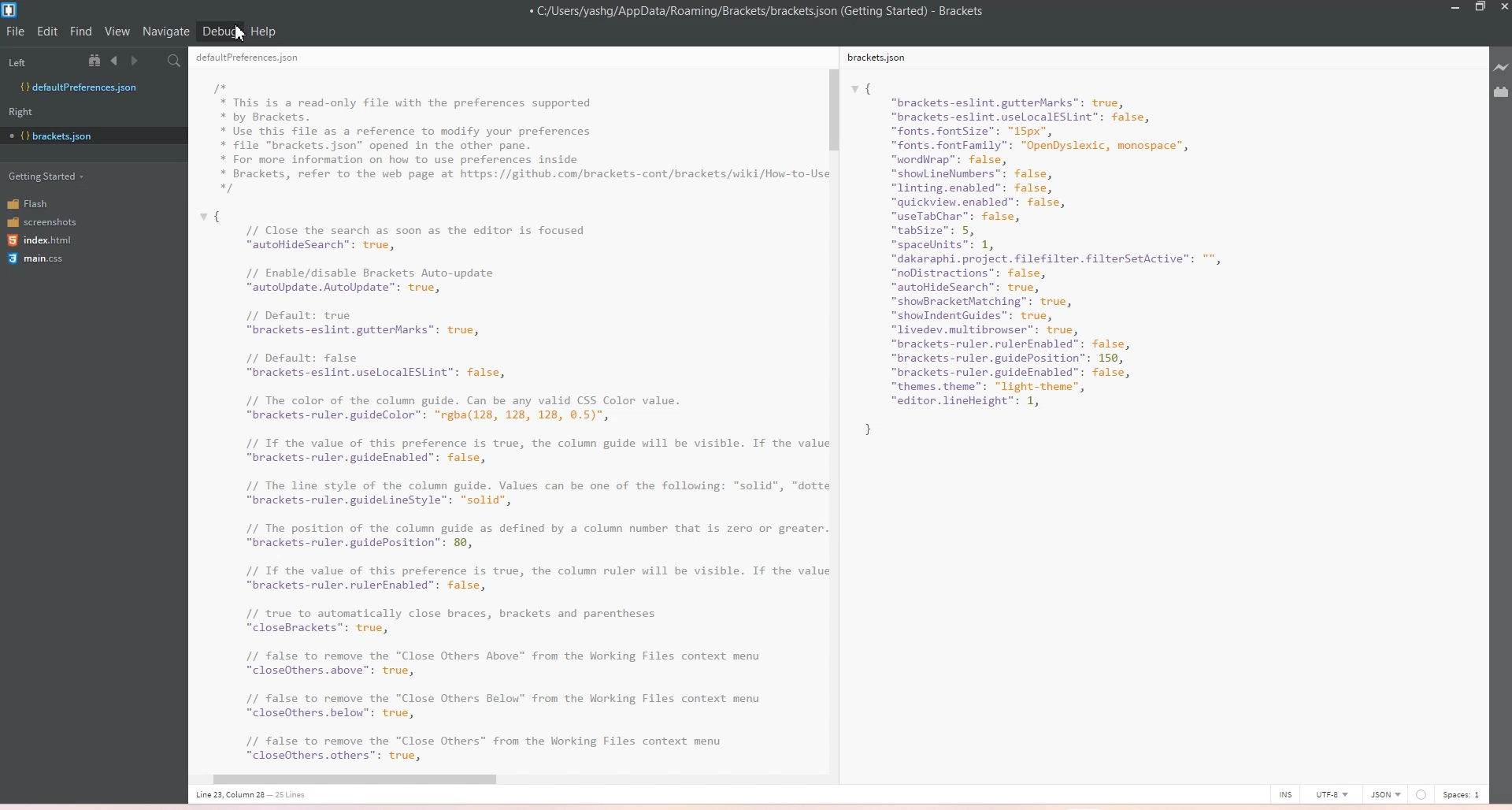 The width and height of the screenshot is (1512, 810). Describe the element at coordinates (257, 60) in the screenshot. I see `defaultPreferences.json` at that location.